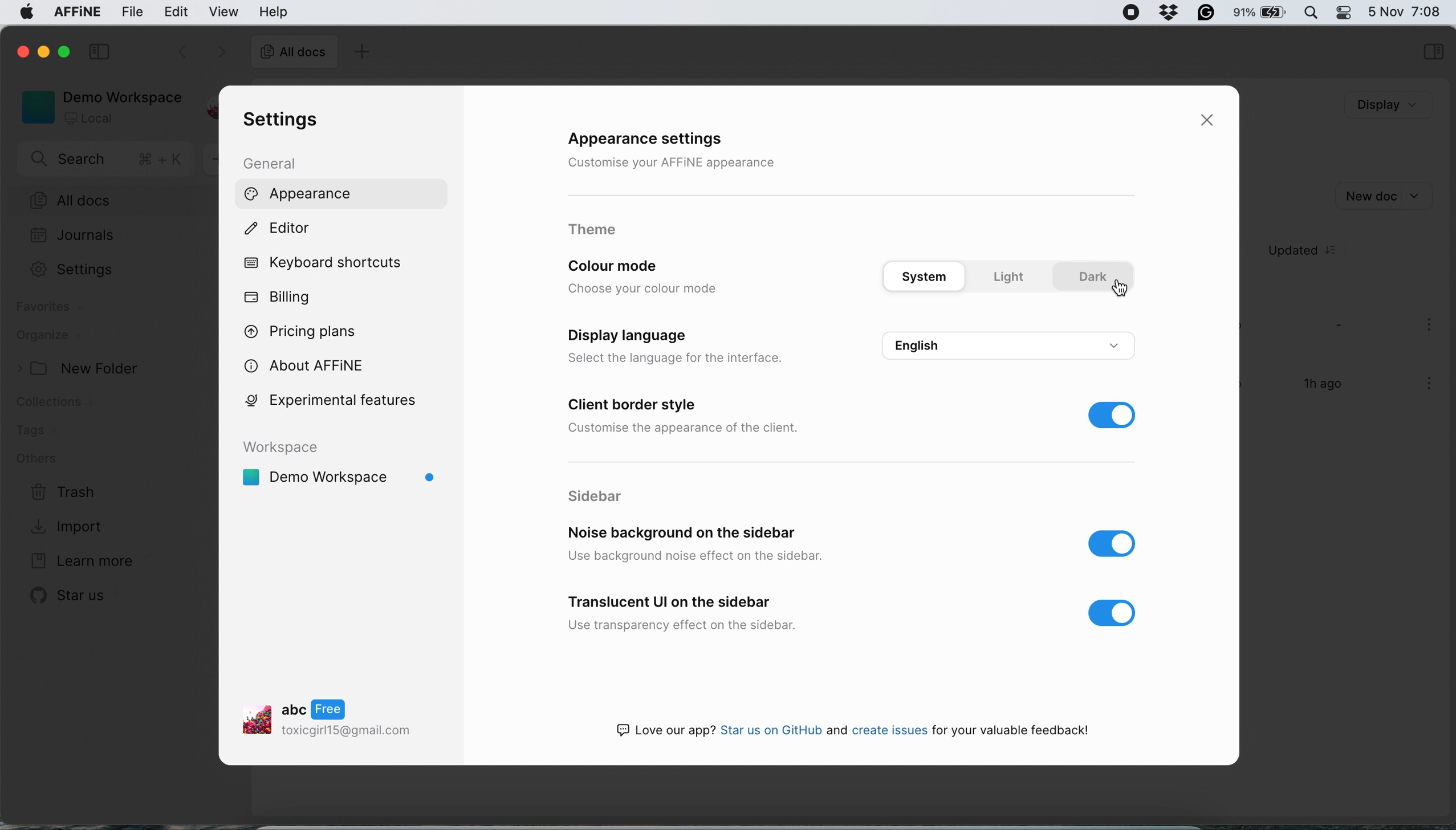 The width and height of the screenshot is (1456, 830). Describe the element at coordinates (294, 53) in the screenshot. I see `all docs` at that location.